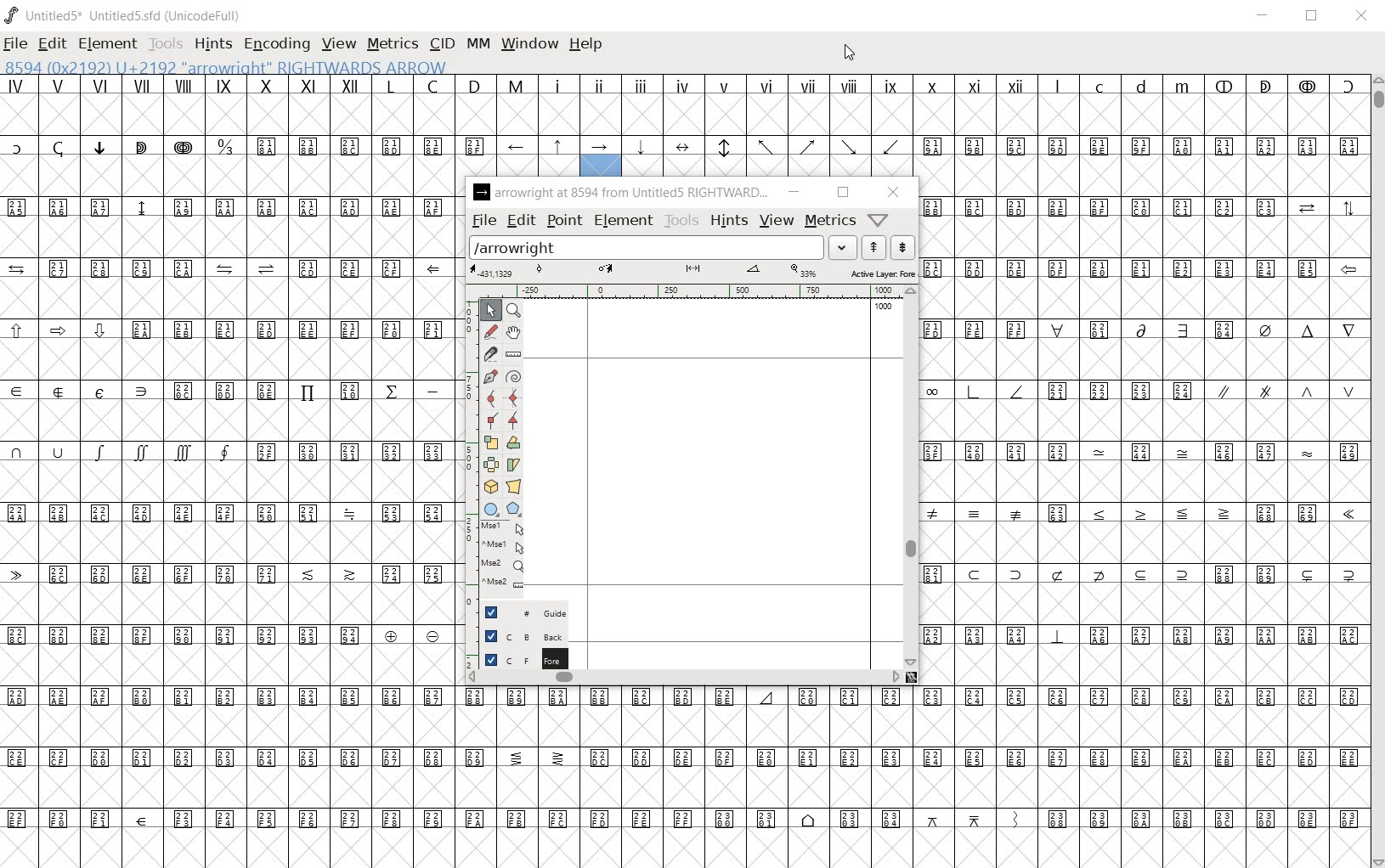 The height and width of the screenshot is (868, 1385). Describe the element at coordinates (624, 220) in the screenshot. I see `element` at that location.